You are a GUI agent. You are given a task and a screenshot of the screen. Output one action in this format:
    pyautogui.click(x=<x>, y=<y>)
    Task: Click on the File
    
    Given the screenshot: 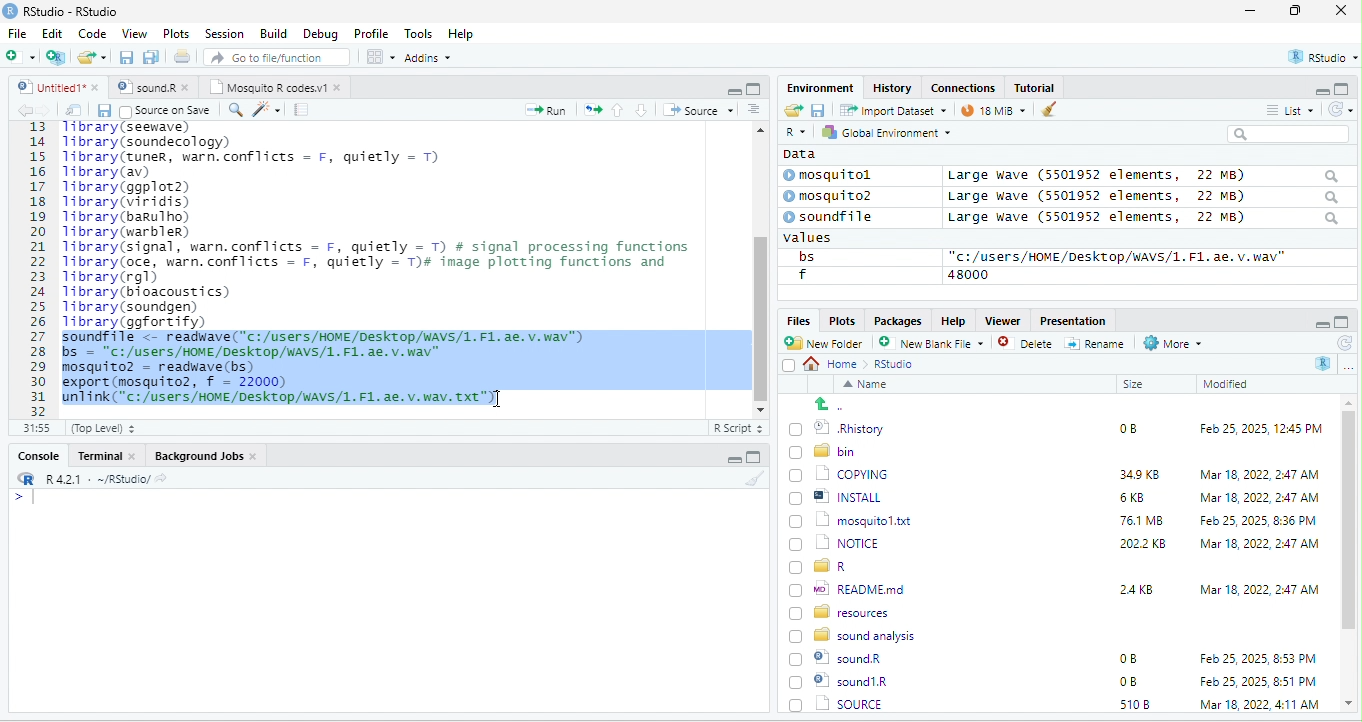 What is the action you would take?
    pyautogui.click(x=17, y=33)
    